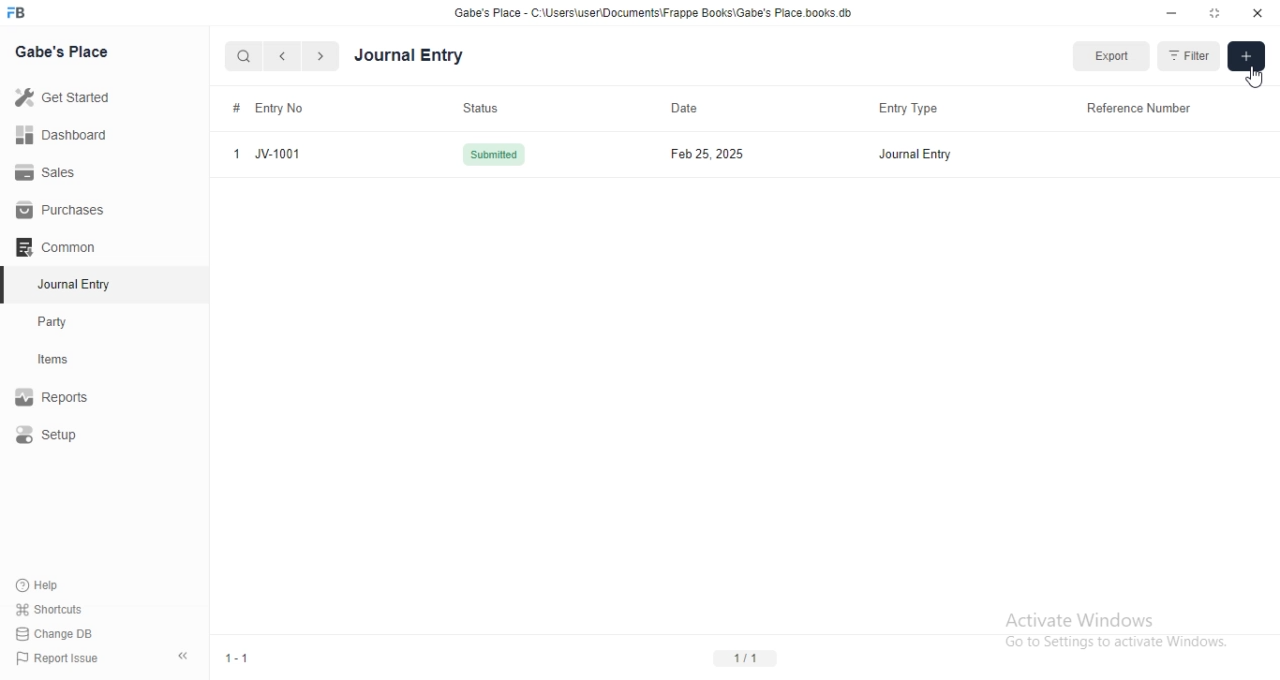 The height and width of the screenshot is (680, 1280). I want to click on search, so click(244, 57).